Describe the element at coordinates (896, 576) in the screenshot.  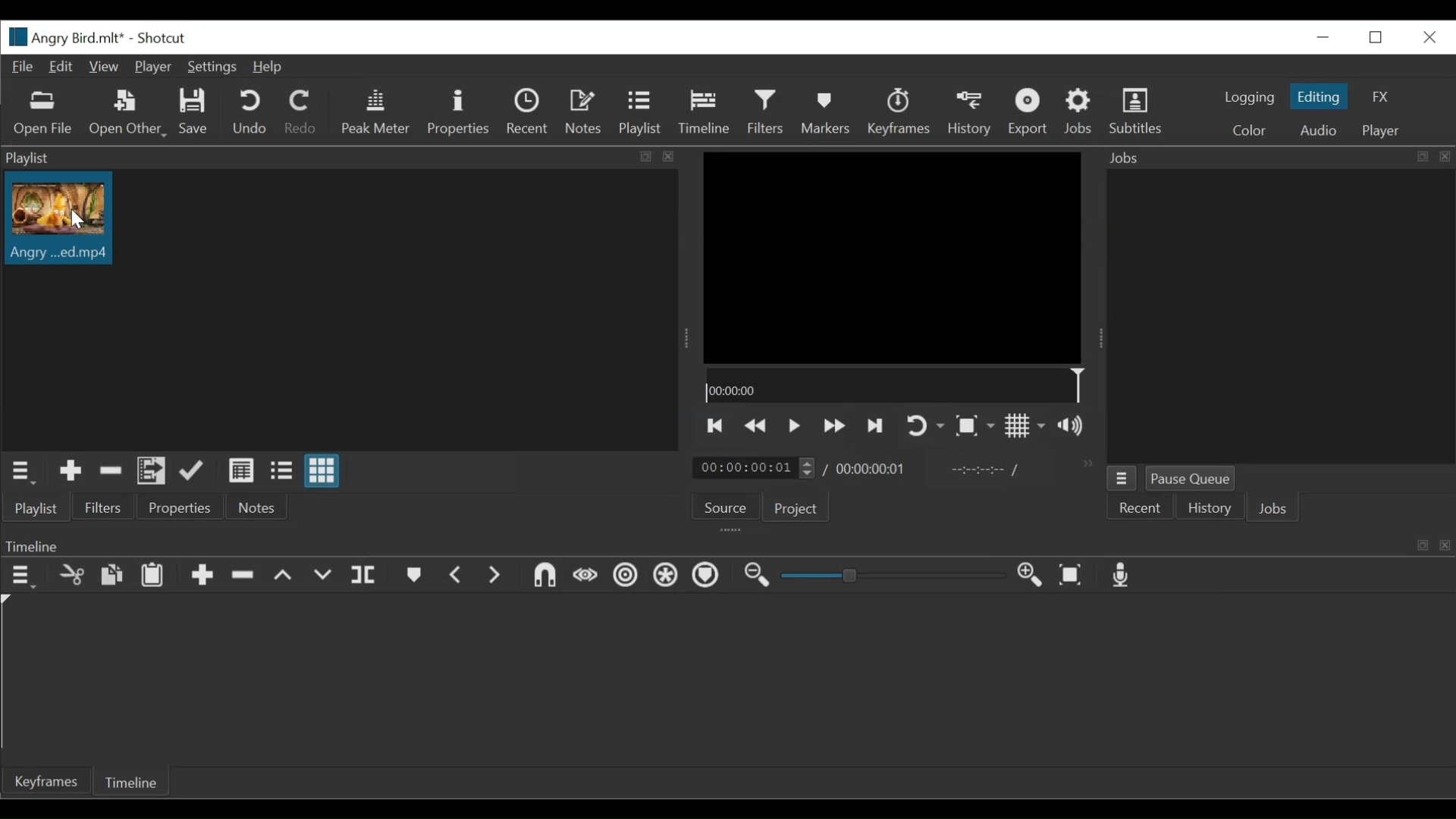
I see `Zoom Slider` at that location.